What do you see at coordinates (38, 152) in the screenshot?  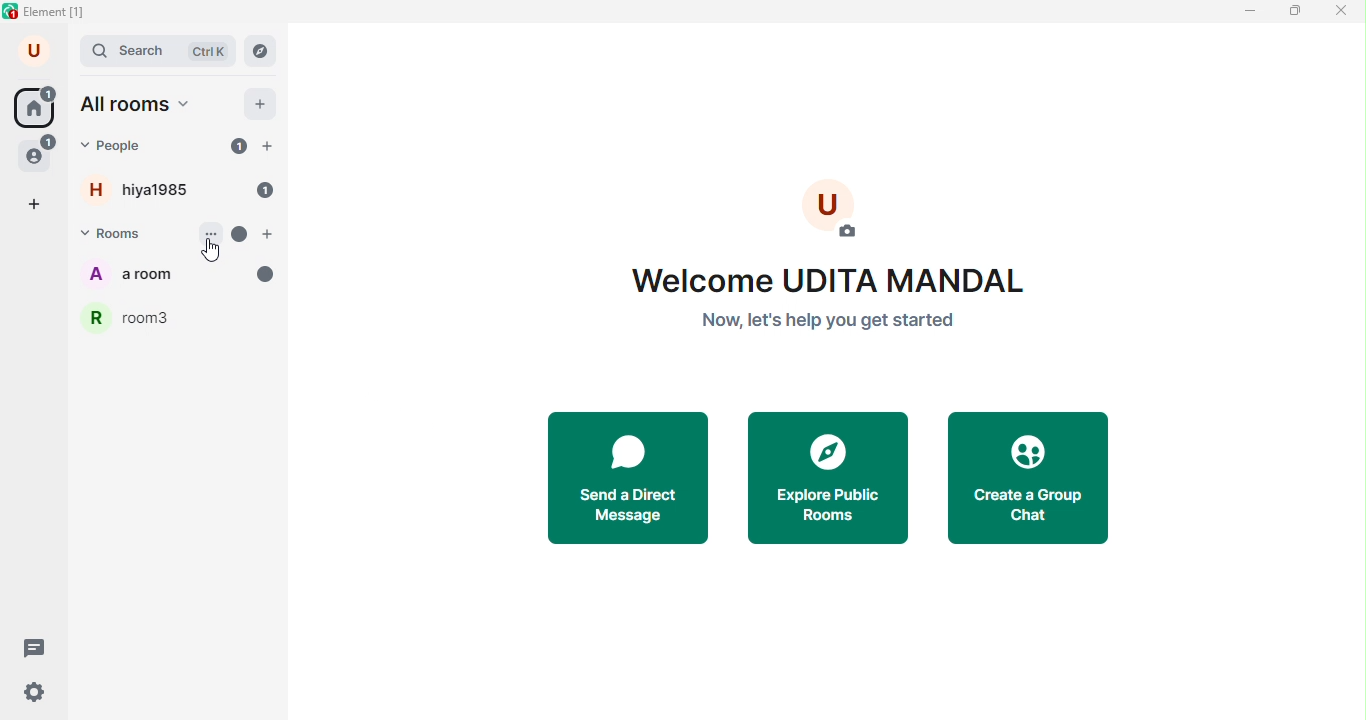 I see `people` at bounding box center [38, 152].